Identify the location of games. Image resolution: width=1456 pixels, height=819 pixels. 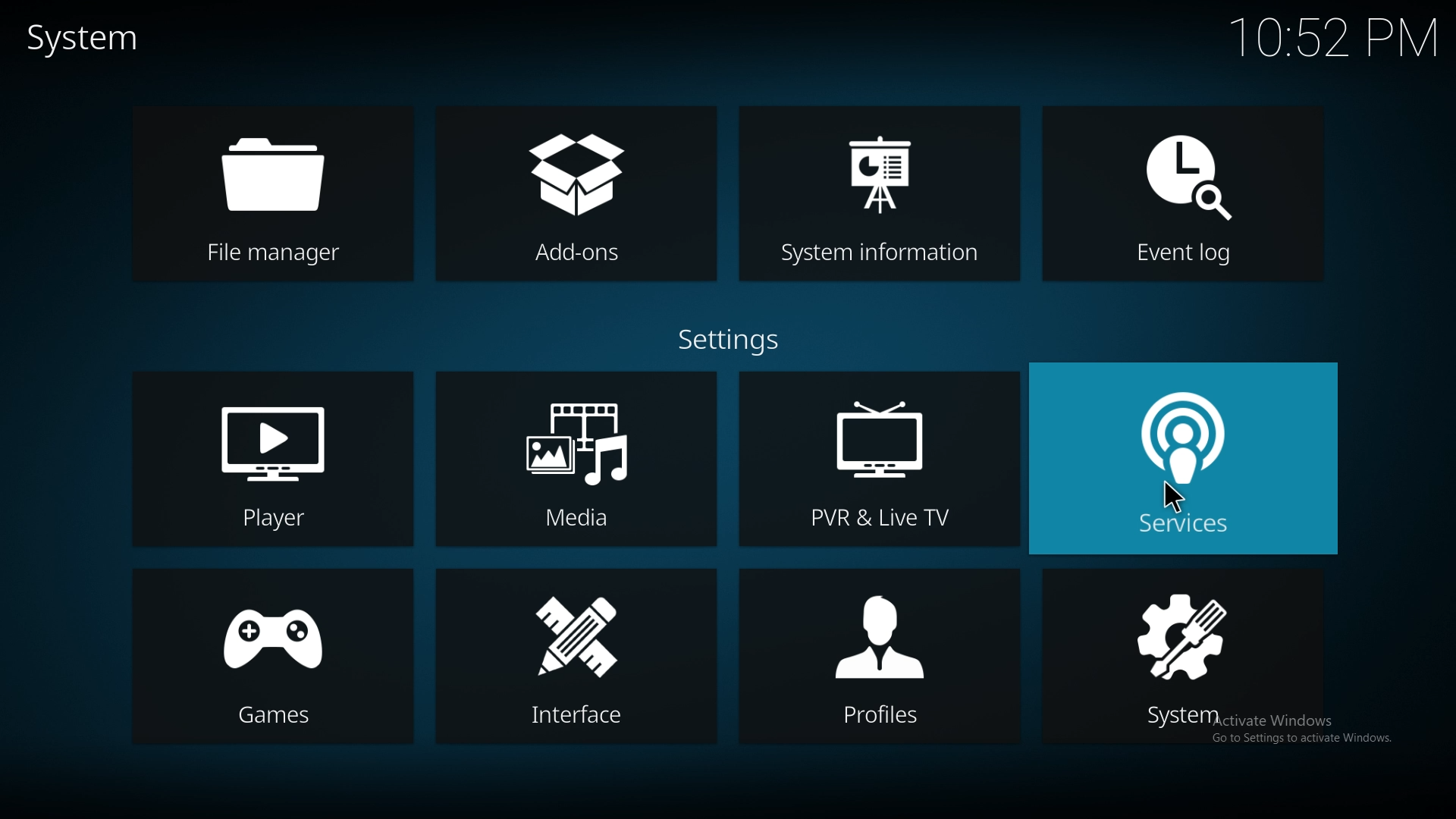
(271, 657).